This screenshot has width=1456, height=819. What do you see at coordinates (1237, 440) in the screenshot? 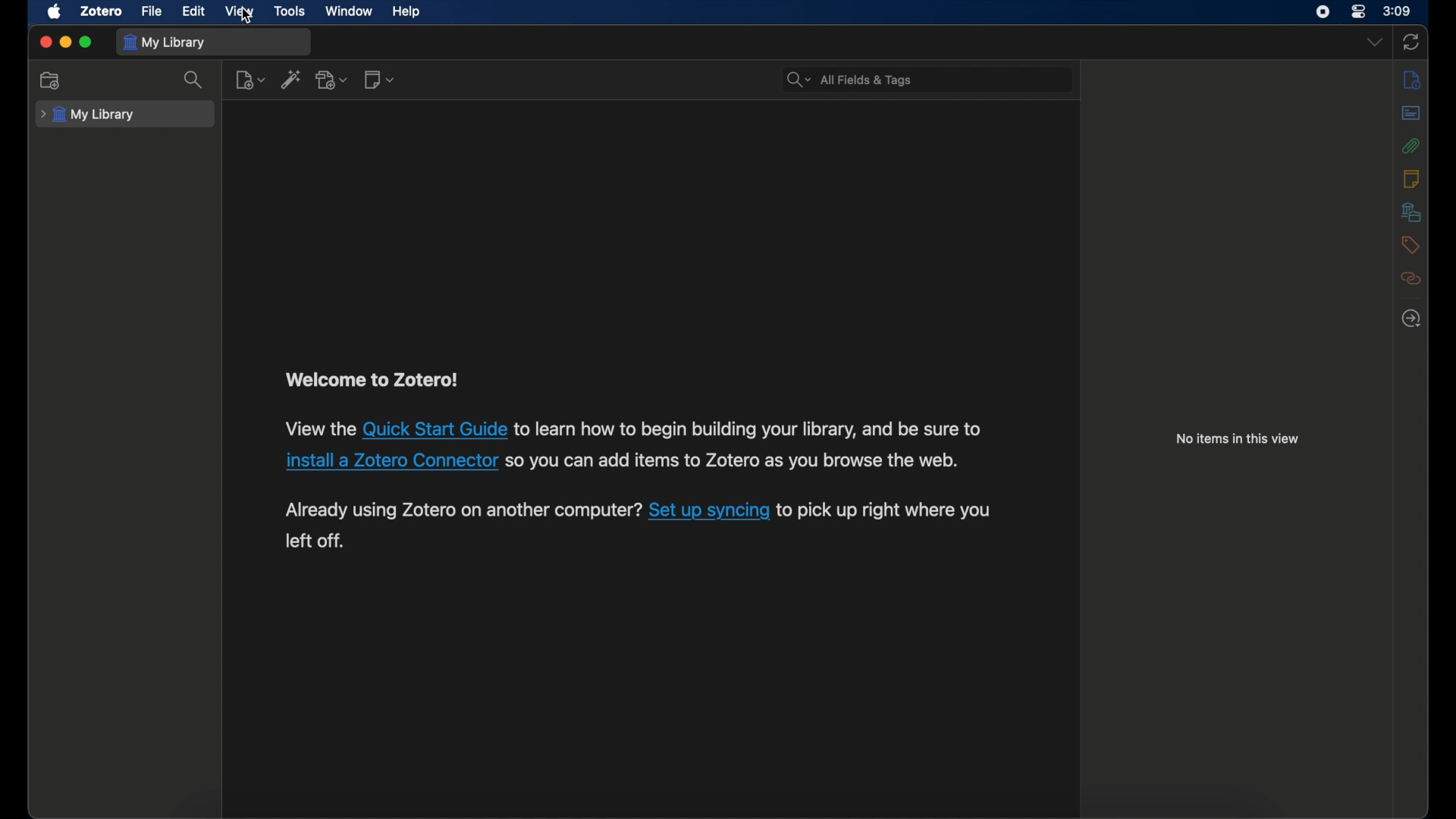
I see `info` at bounding box center [1237, 440].